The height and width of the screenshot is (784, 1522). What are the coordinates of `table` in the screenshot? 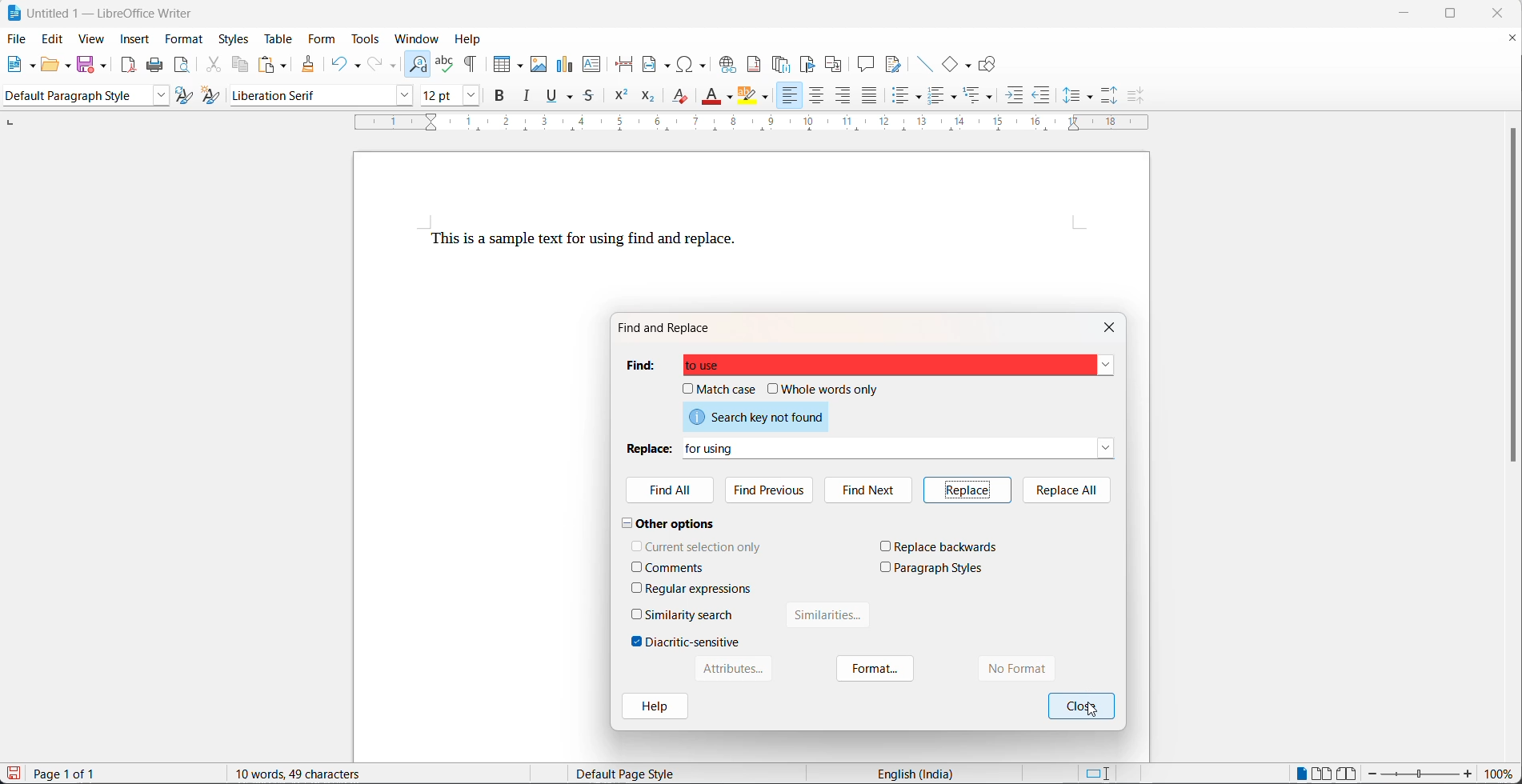 It's located at (276, 38).